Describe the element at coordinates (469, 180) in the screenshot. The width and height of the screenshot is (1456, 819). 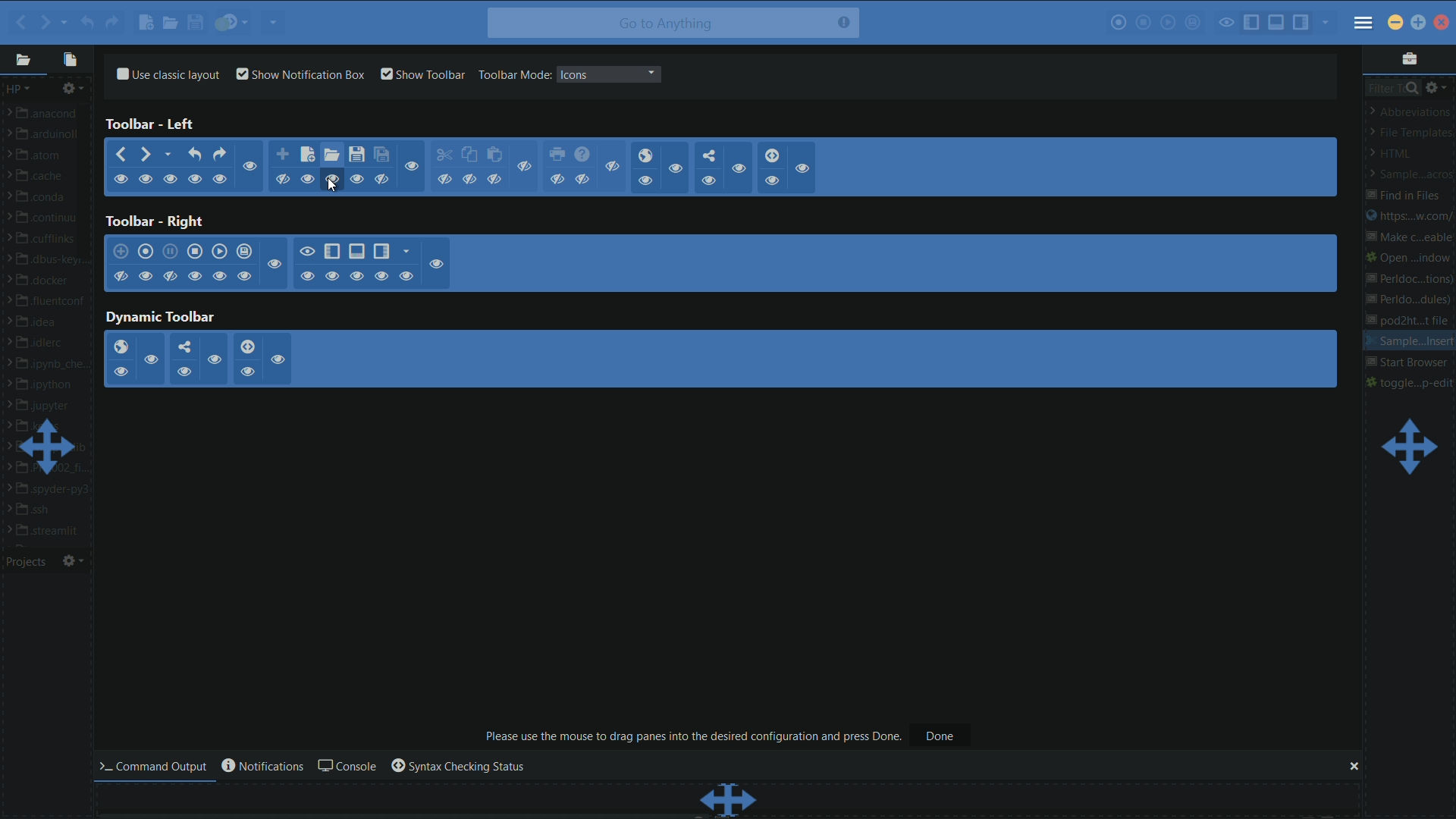
I see `show/hide` at that location.